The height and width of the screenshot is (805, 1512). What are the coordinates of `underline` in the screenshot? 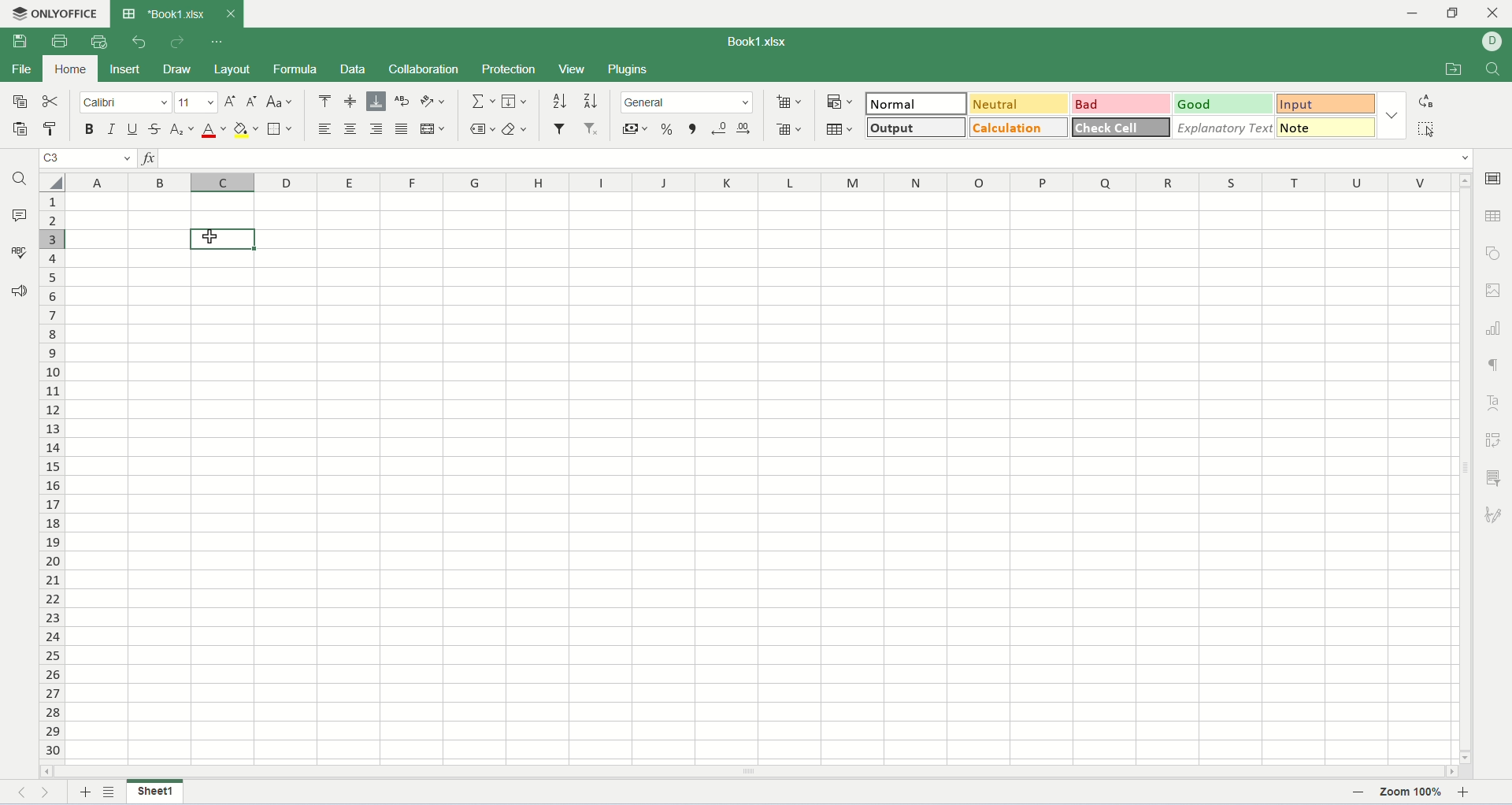 It's located at (132, 128).